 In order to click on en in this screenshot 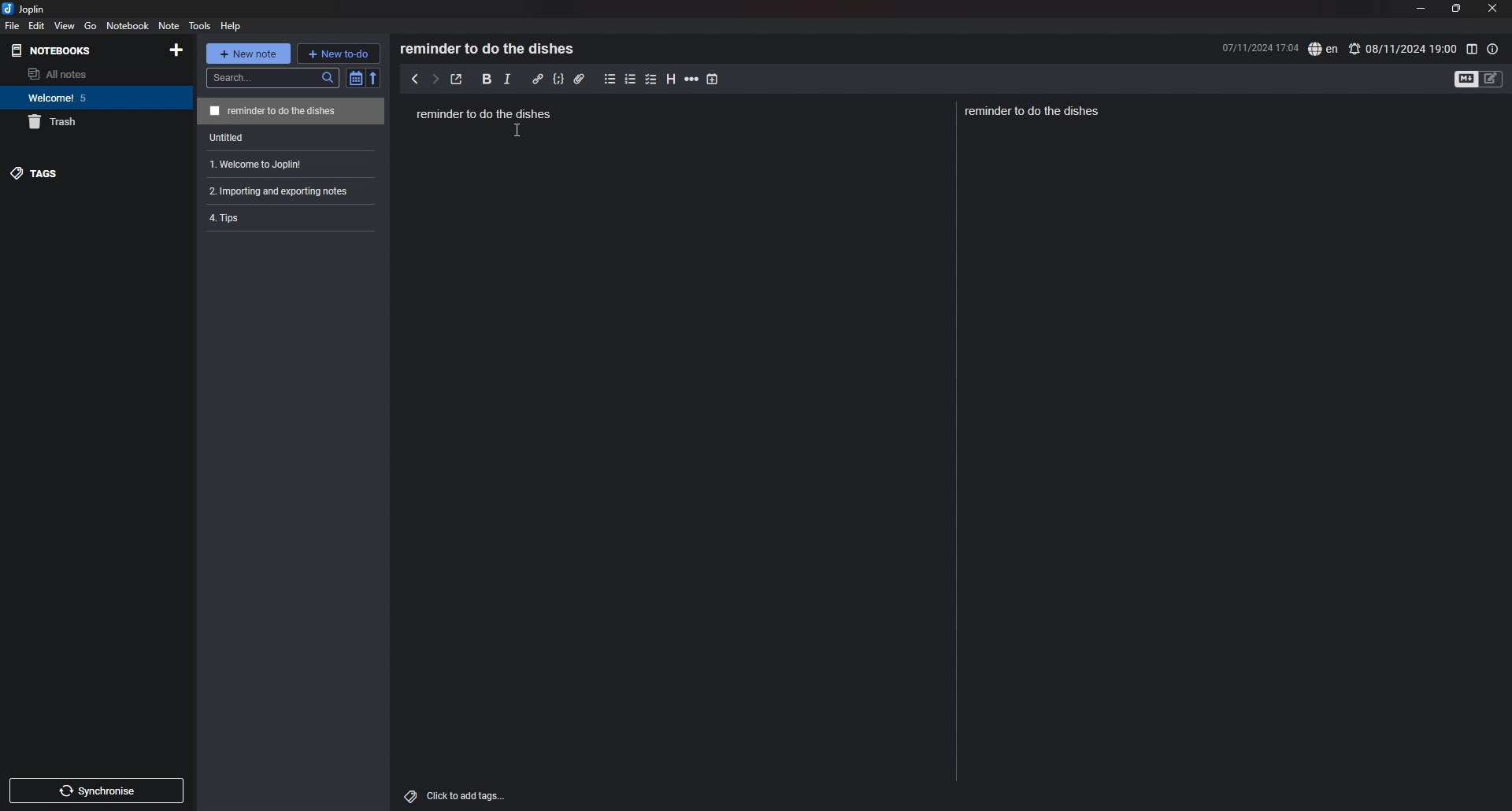, I will do `click(1323, 49)`.